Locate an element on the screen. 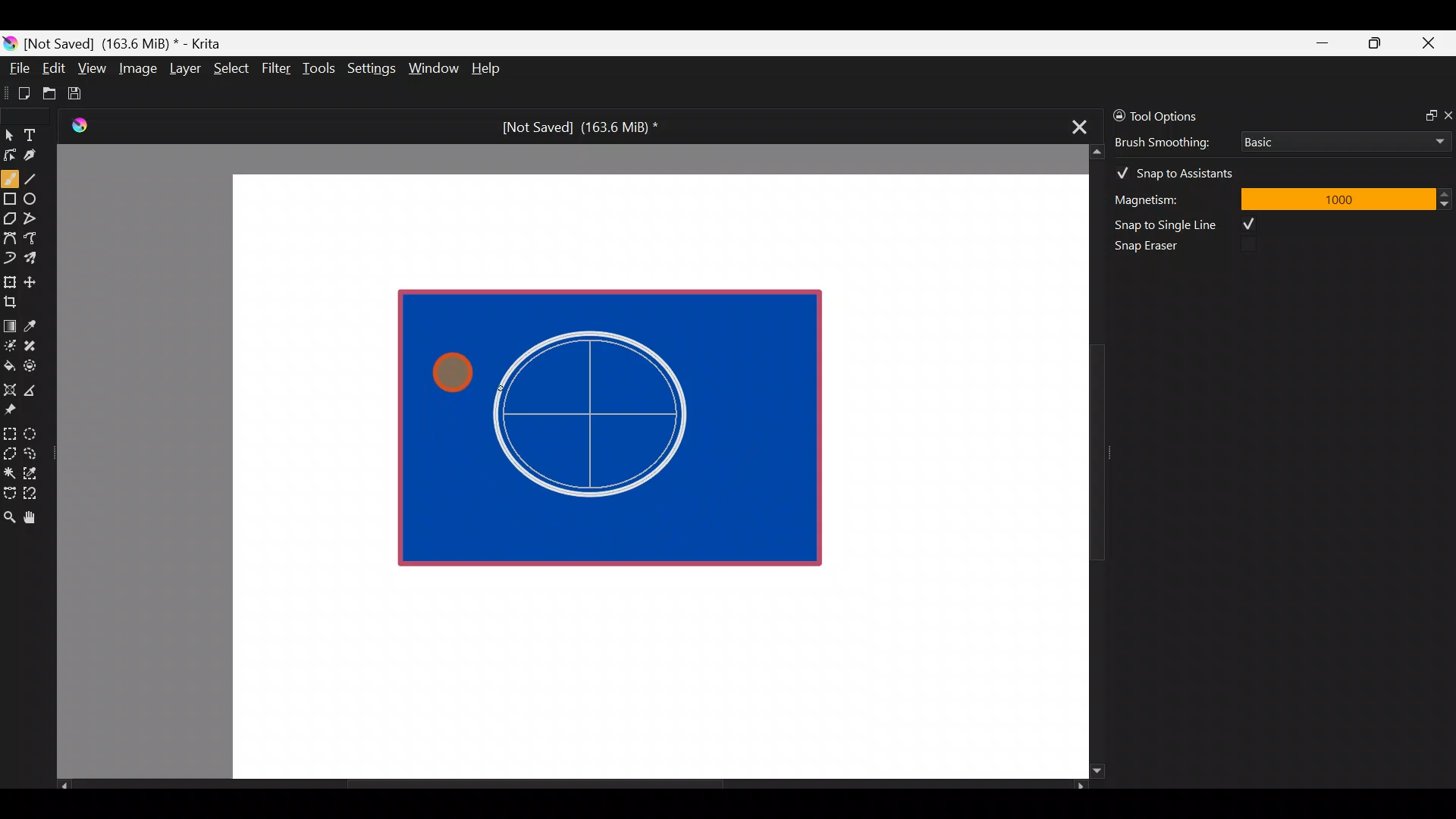 The height and width of the screenshot is (819, 1456). Calligraphy is located at coordinates (41, 158).